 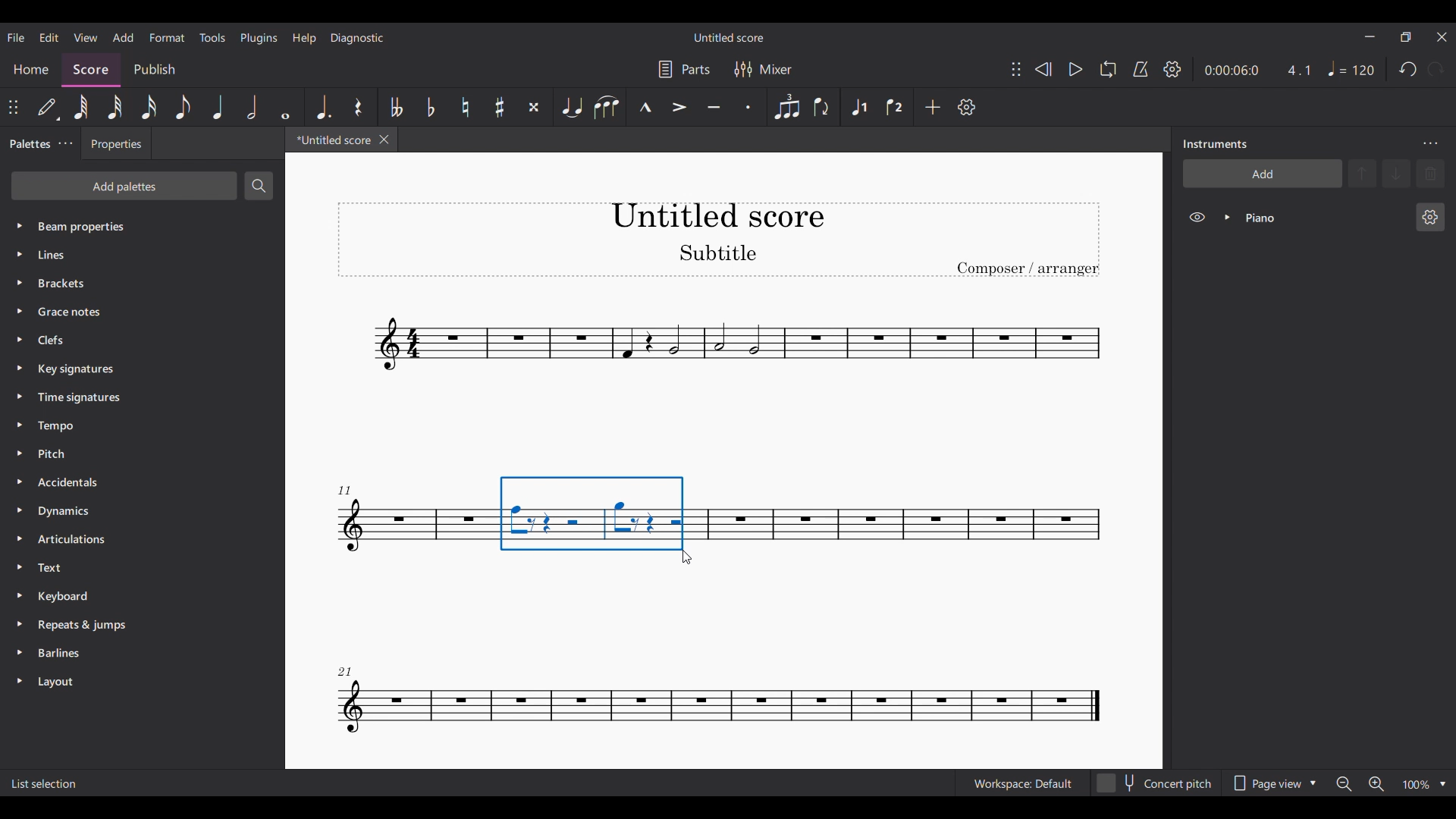 What do you see at coordinates (1430, 174) in the screenshot?
I see `Delete` at bounding box center [1430, 174].